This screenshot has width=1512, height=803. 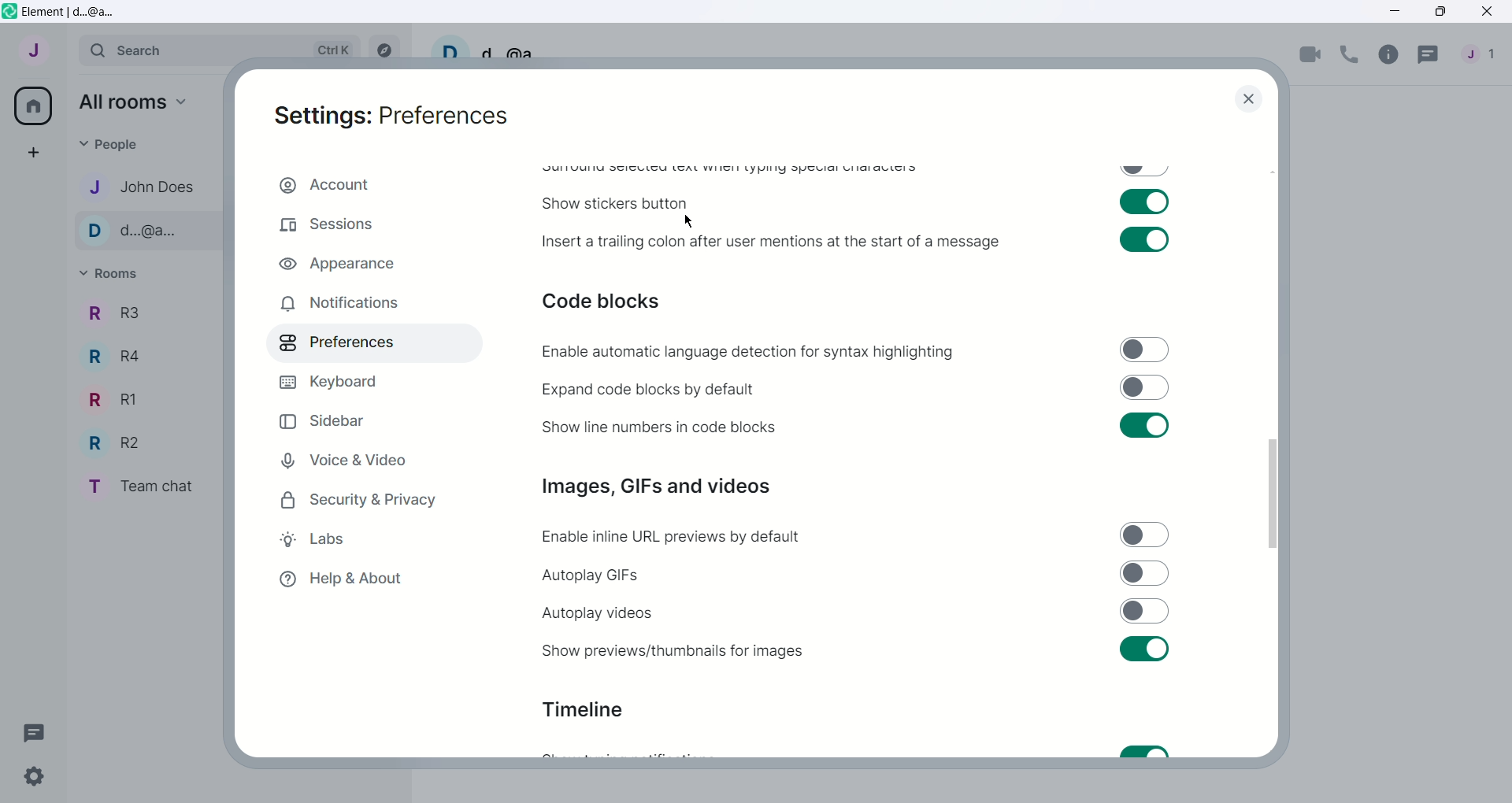 I want to click on Enable automatic language detection for syntax highlighting, so click(x=748, y=351).